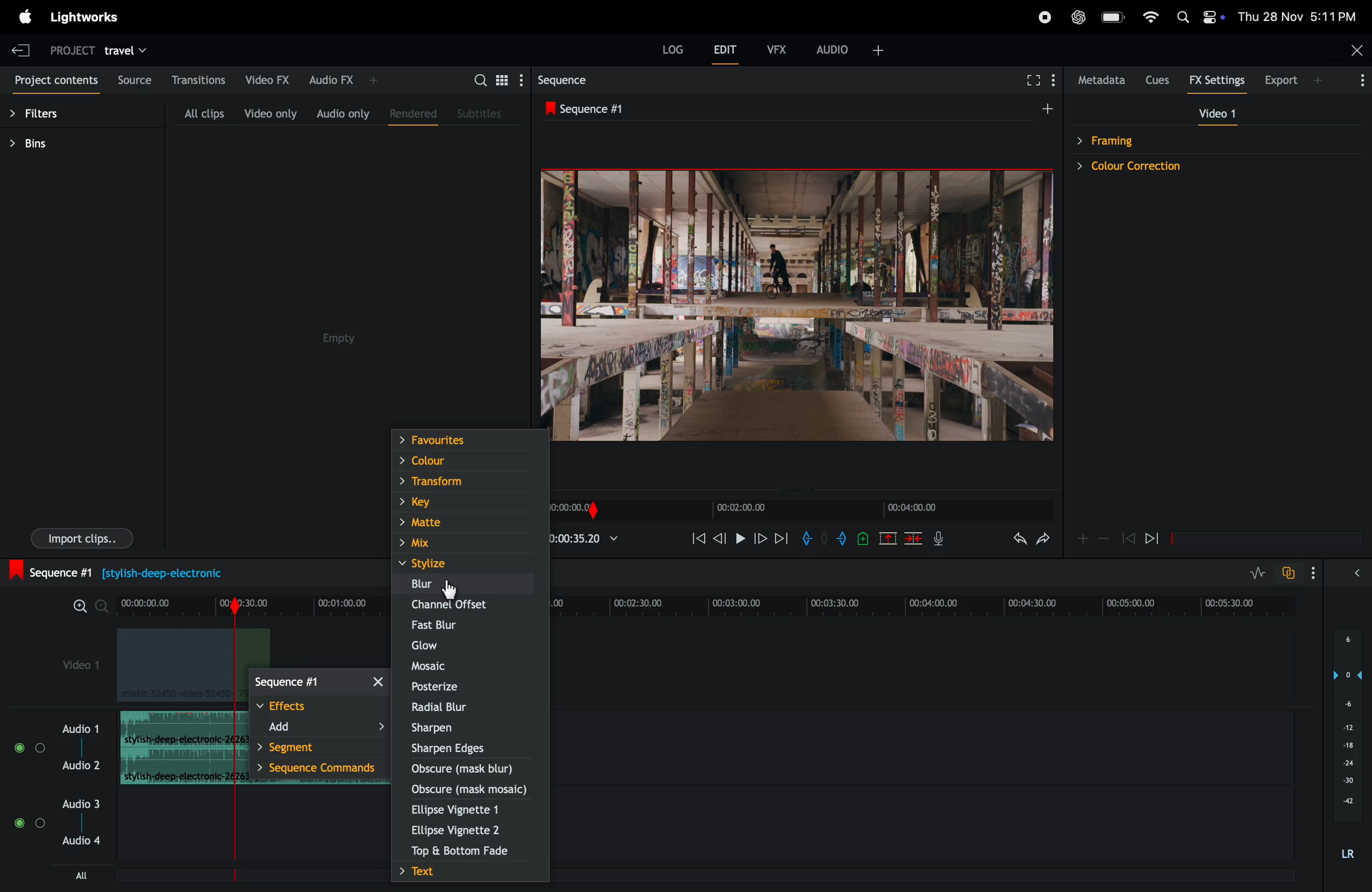 The image size is (1372, 892). What do you see at coordinates (1355, 49) in the screenshot?
I see `Close` at bounding box center [1355, 49].